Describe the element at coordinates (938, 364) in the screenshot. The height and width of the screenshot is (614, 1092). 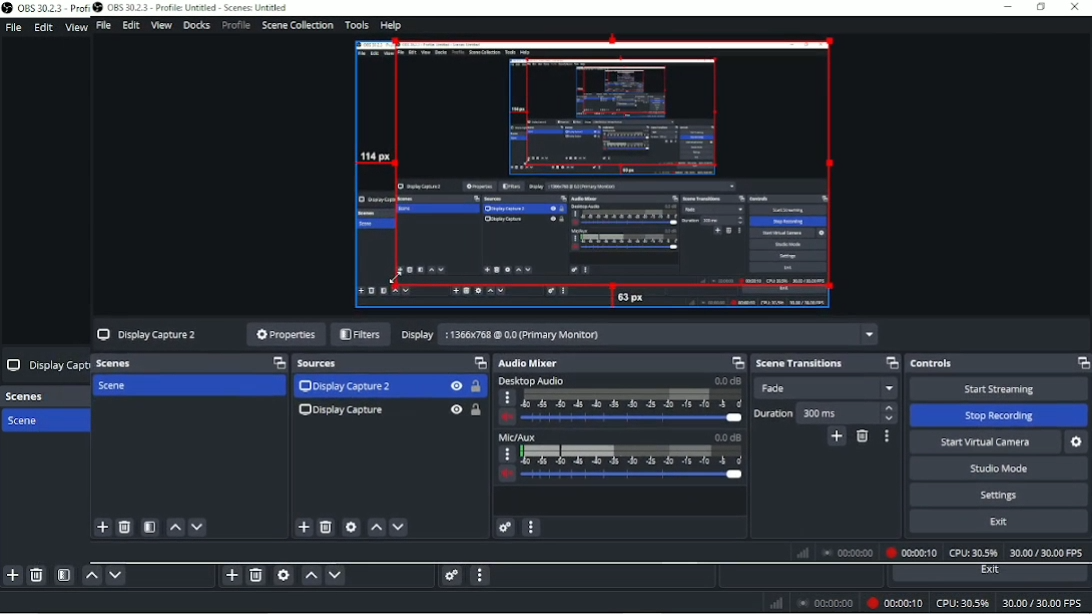
I see `Controls` at that location.